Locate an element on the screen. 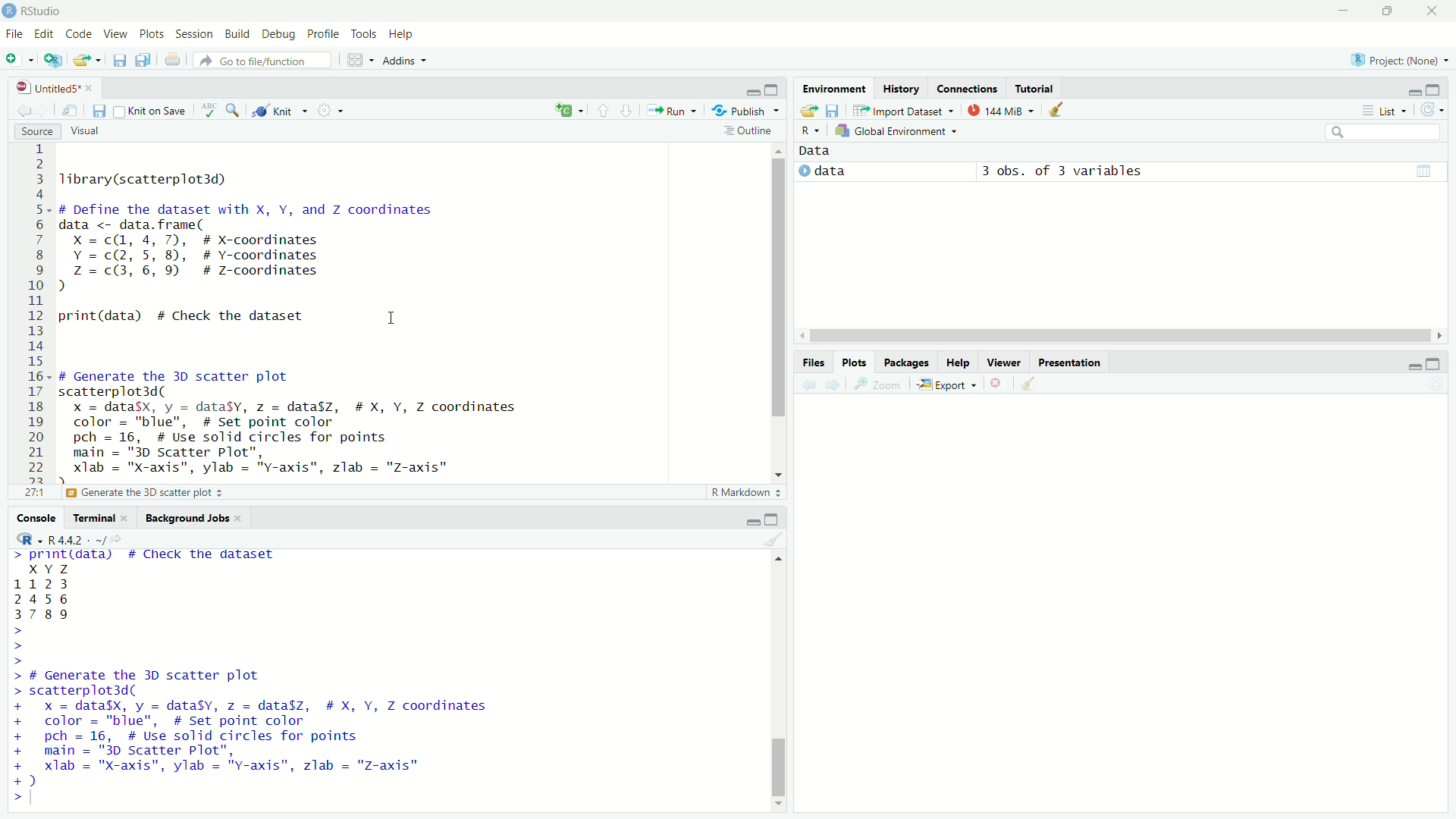  data table is located at coordinates (1425, 171).